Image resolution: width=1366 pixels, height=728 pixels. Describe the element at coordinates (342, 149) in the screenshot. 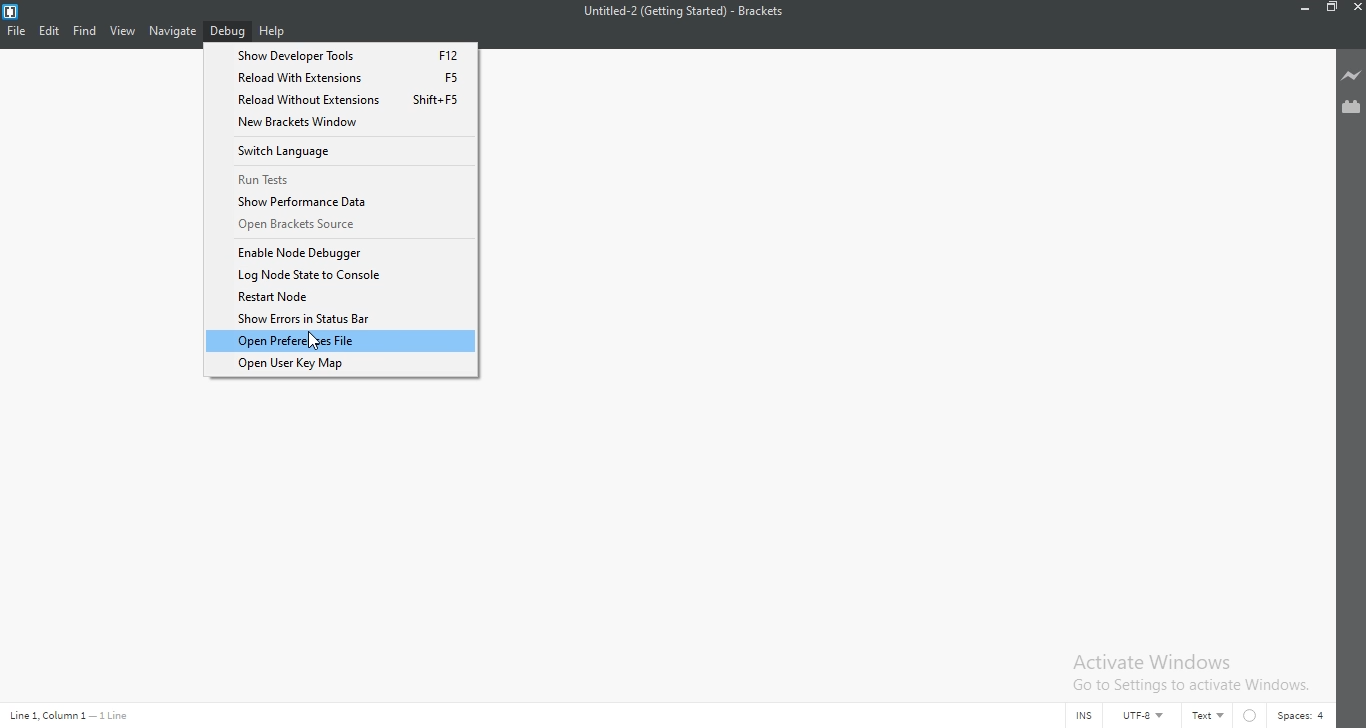

I see `Switch Language` at that location.